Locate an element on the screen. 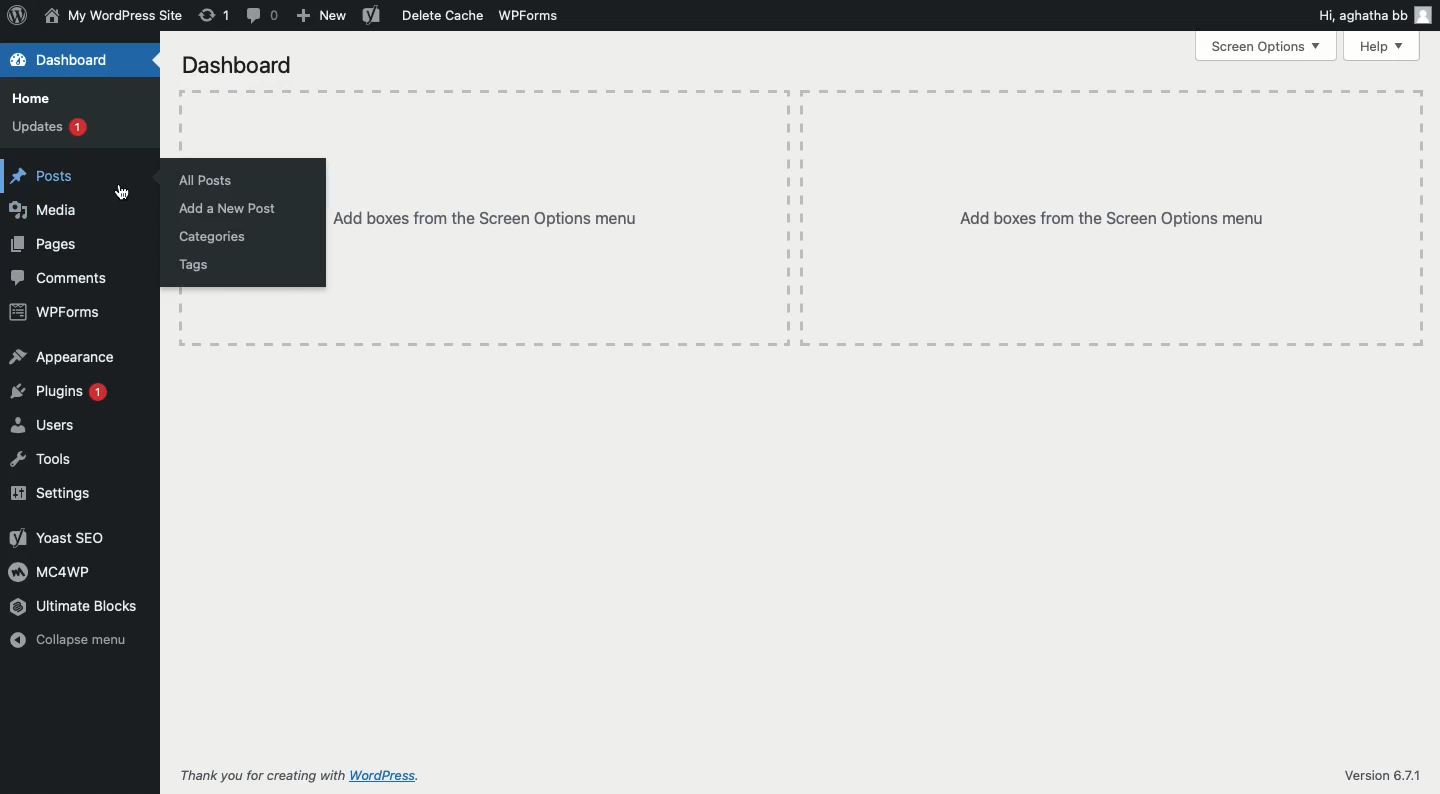 The image size is (1440, 794). Add boxes from the screen options menu is located at coordinates (559, 218).